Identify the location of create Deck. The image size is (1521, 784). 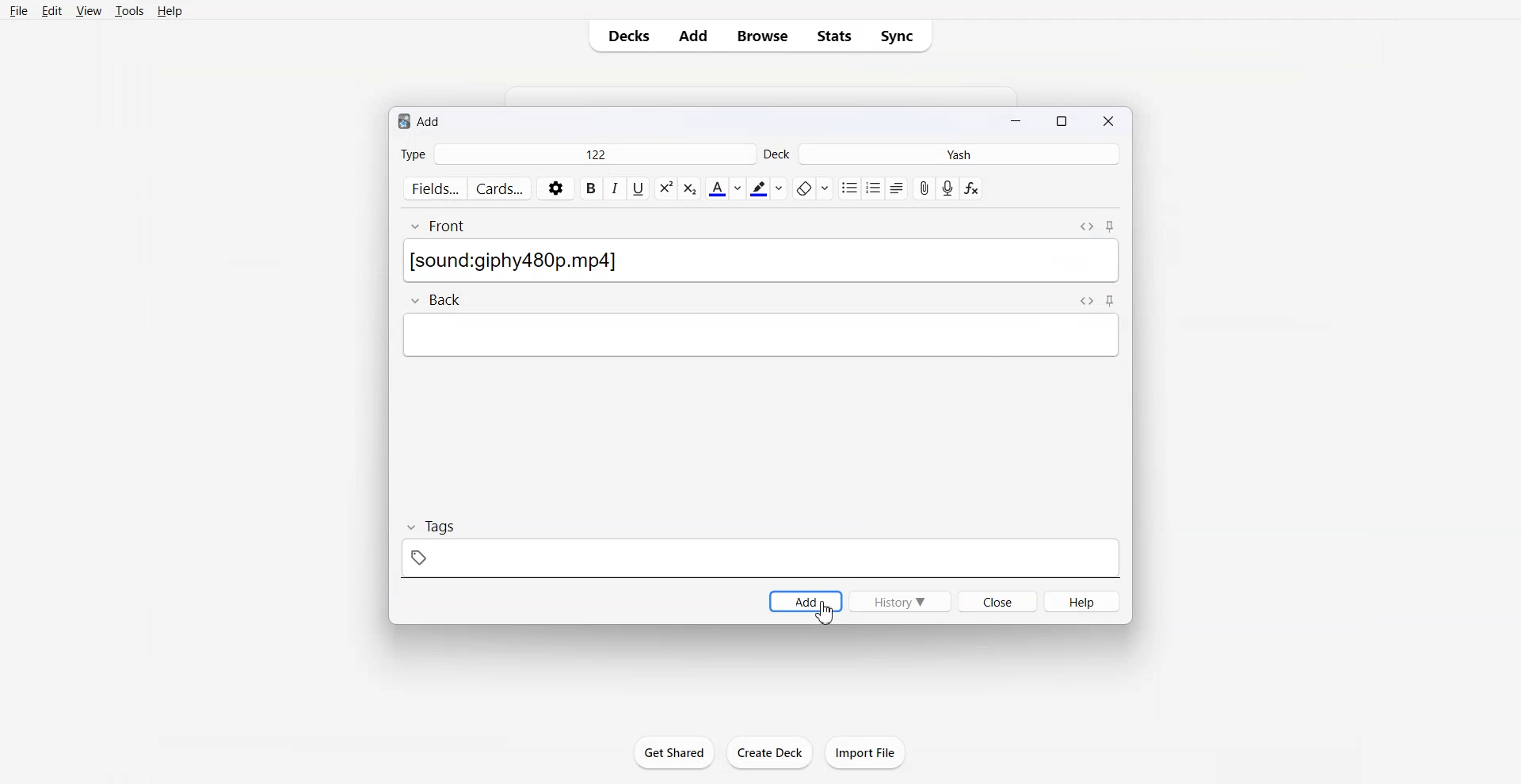
(770, 752).